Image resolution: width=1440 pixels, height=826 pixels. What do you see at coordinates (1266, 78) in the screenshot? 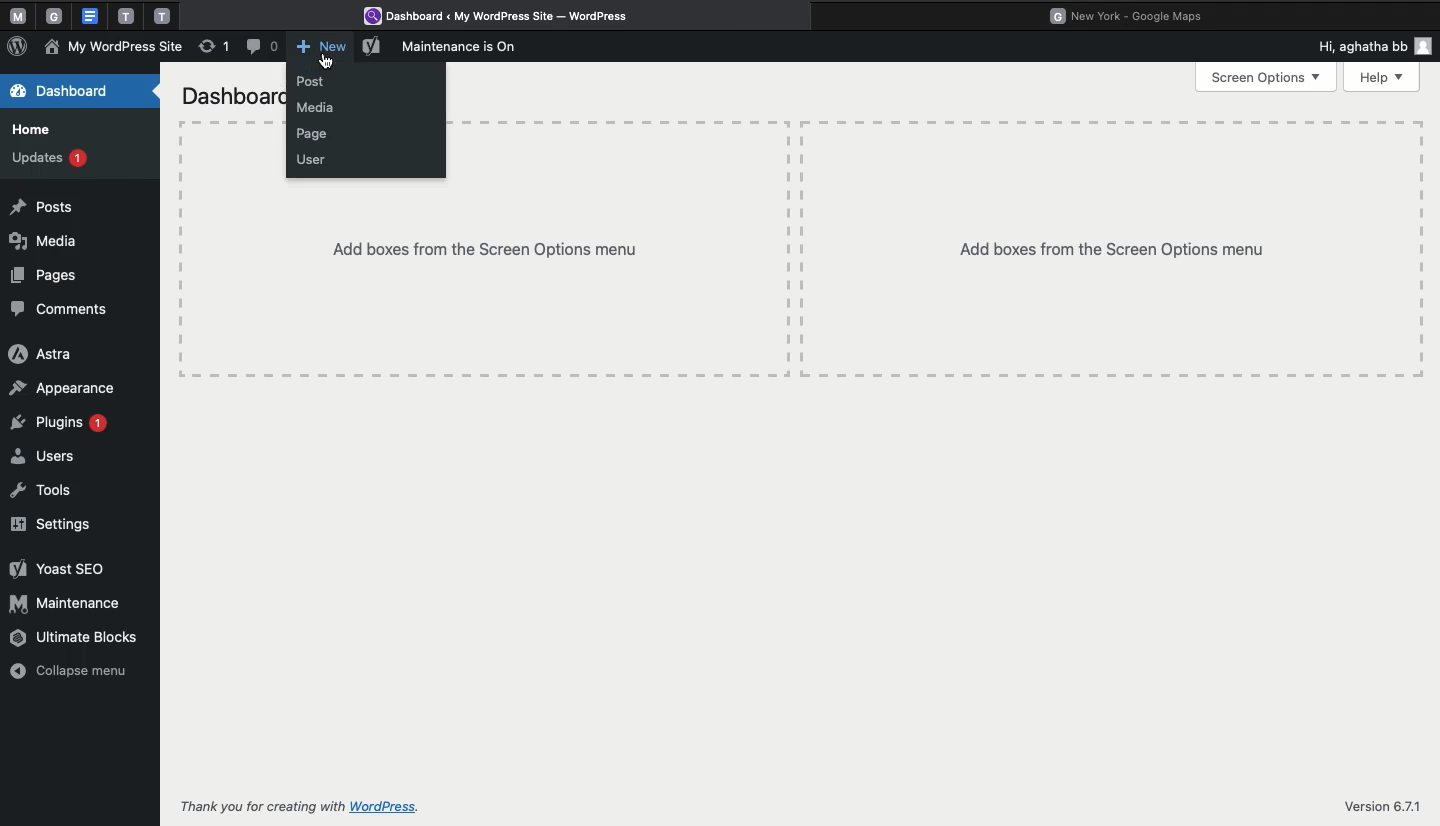
I see `Screen options` at bounding box center [1266, 78].